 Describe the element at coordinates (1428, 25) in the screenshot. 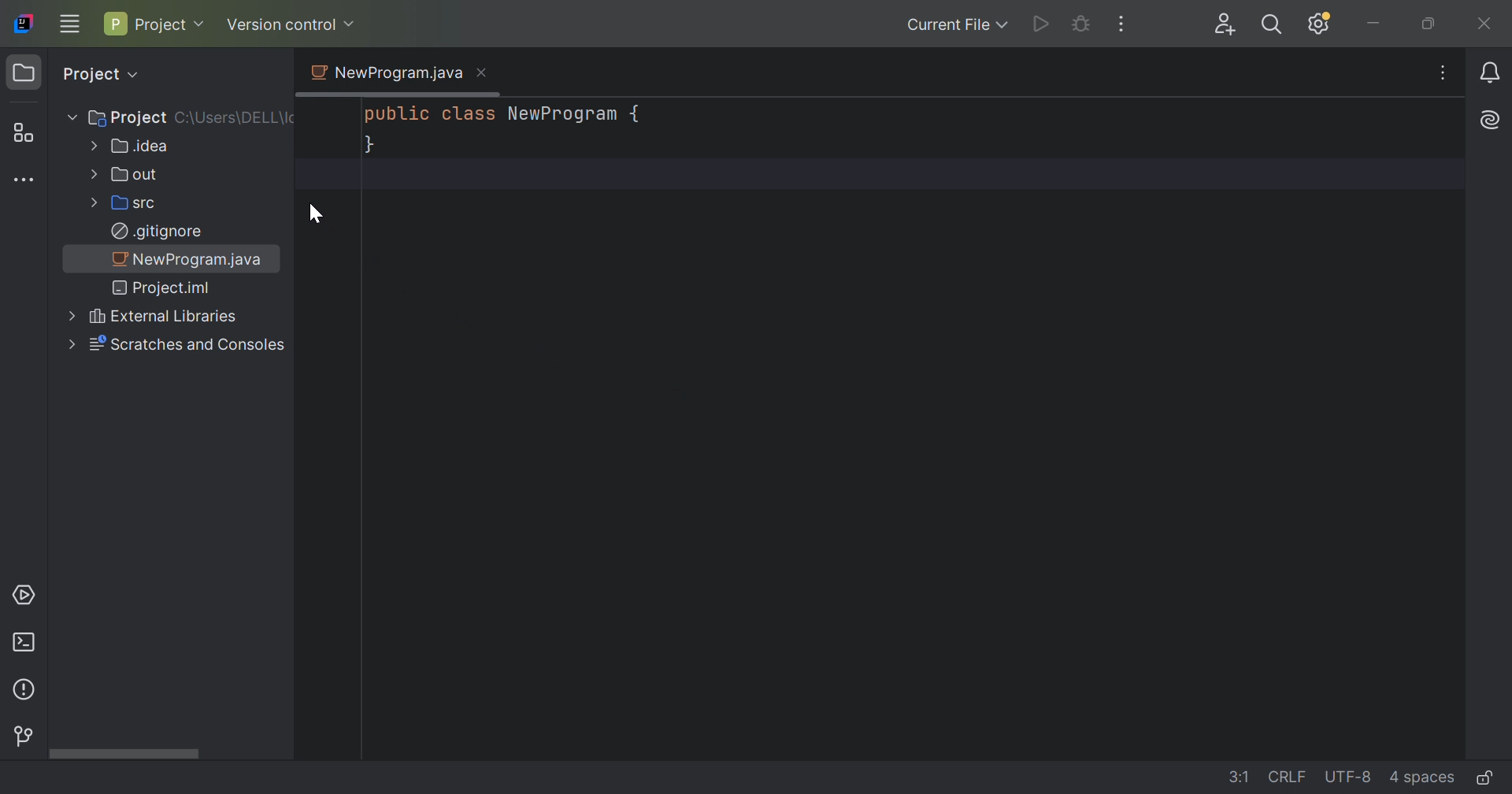

I see `Restore Down` at that location.